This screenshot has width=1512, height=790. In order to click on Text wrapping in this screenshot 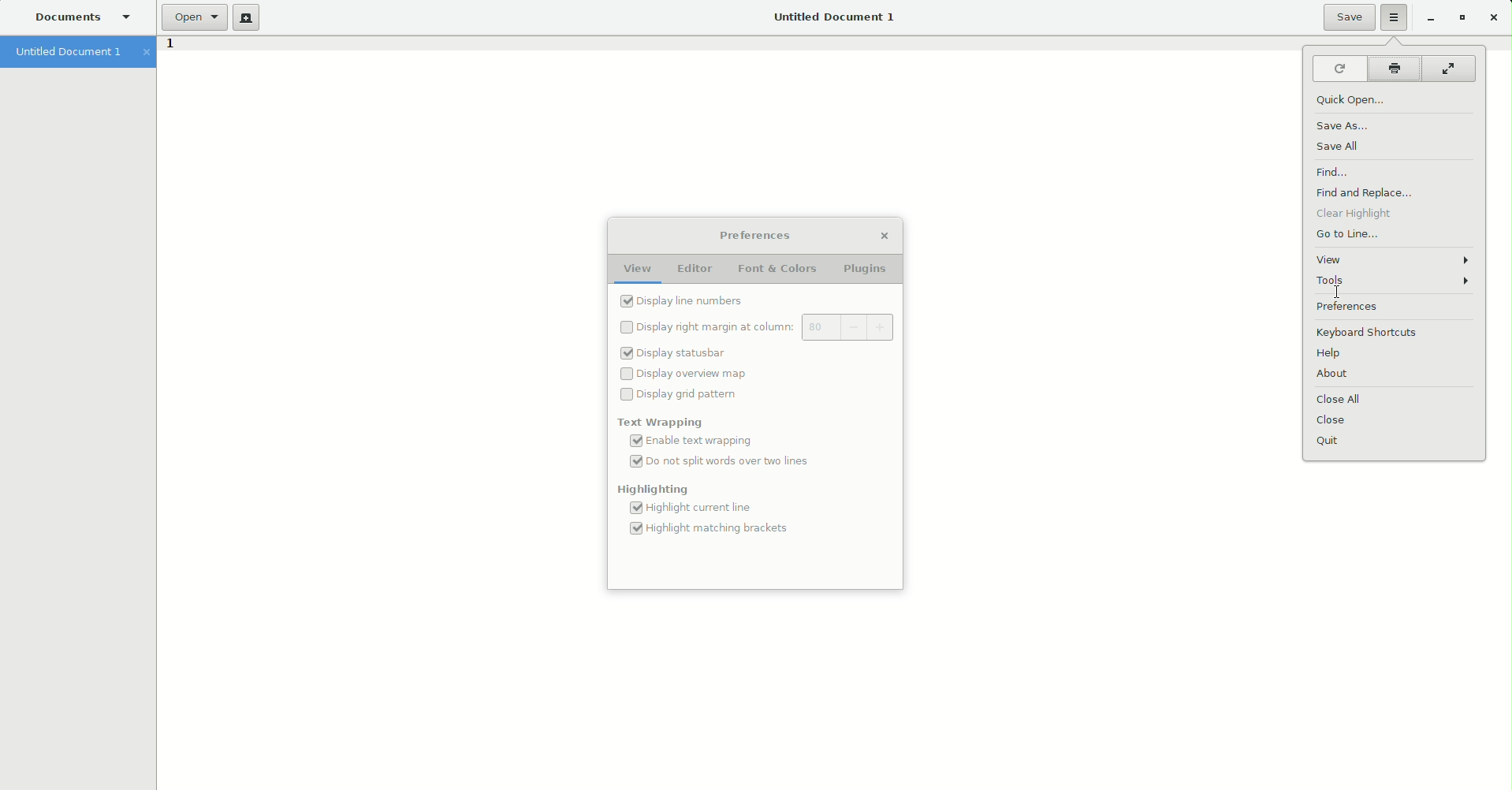, I will do `click(658, 421)`.